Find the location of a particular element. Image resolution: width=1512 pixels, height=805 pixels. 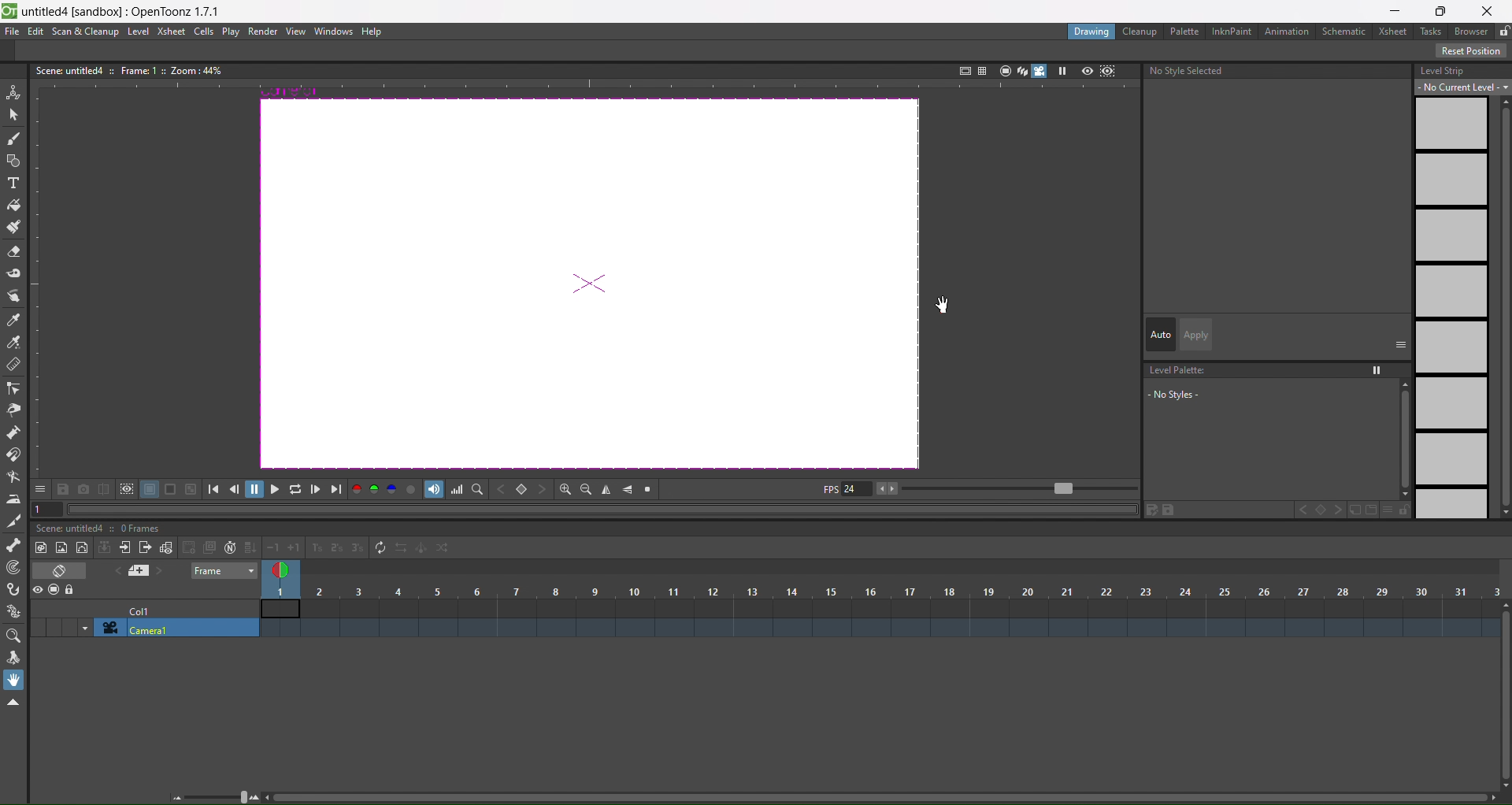

xsheet is located at coordinates (1395, 32).